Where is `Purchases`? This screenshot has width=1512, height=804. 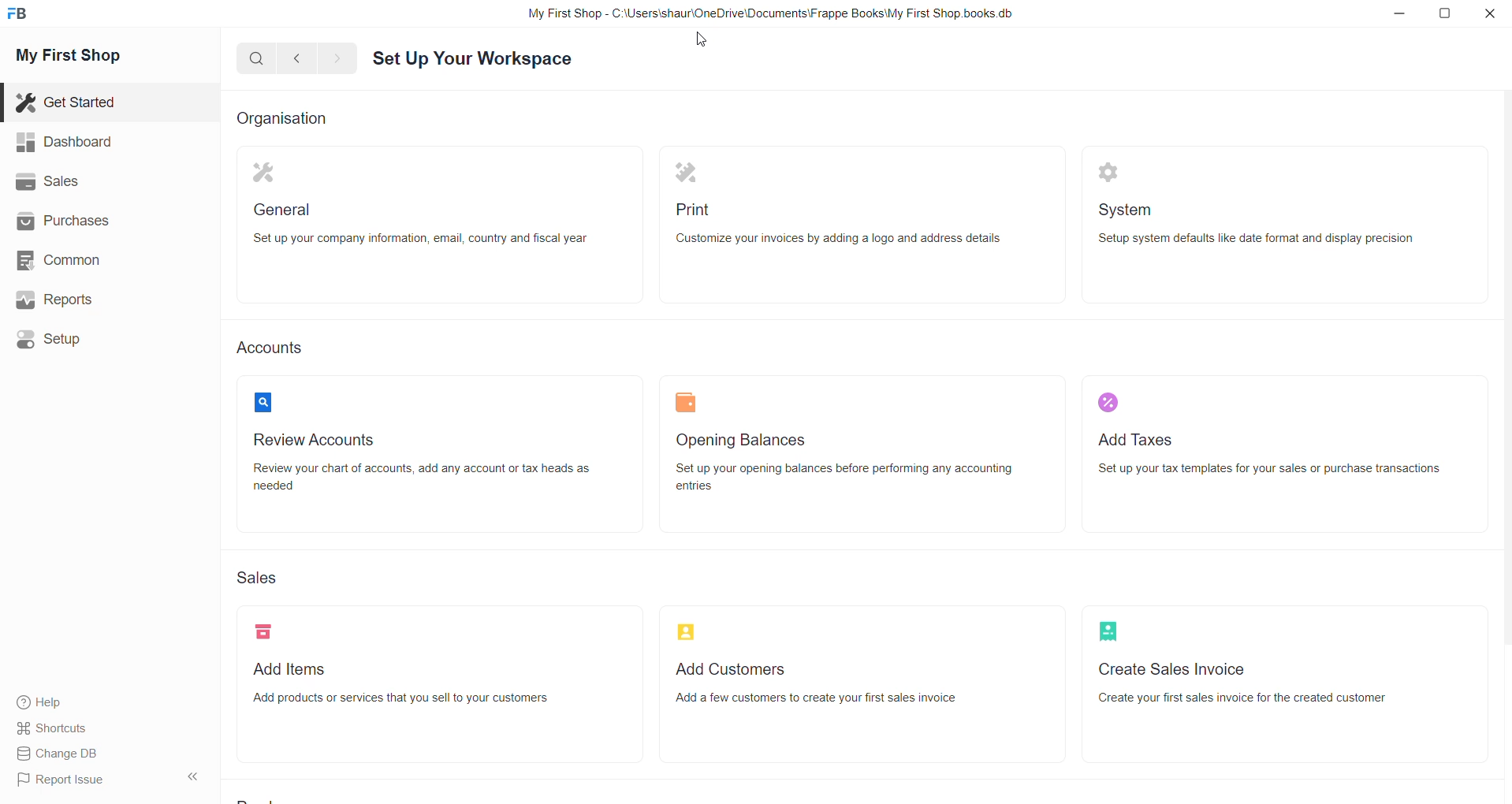 Purchases is located at coordinates (63, 221).